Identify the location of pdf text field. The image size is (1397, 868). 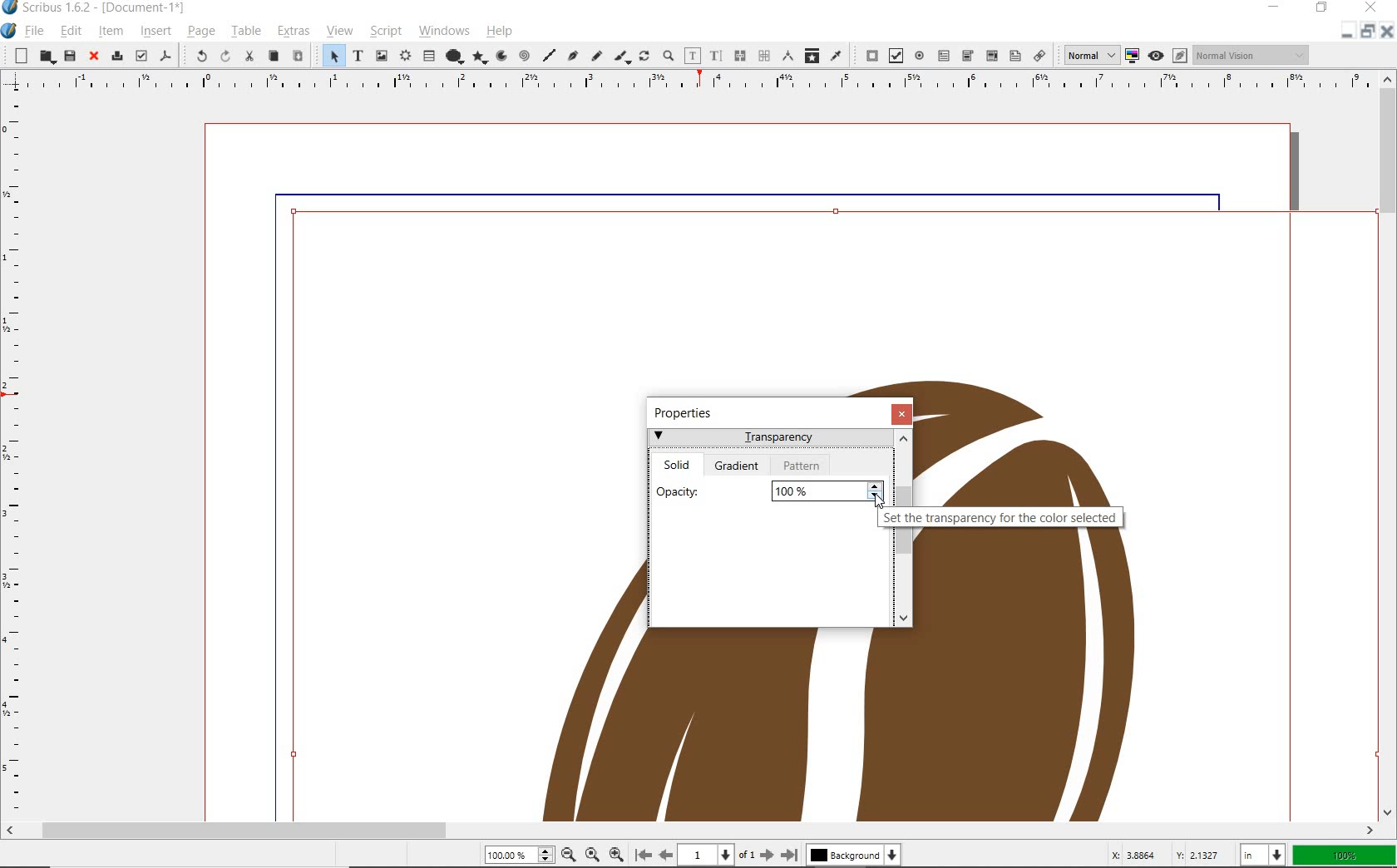
(944, 55).